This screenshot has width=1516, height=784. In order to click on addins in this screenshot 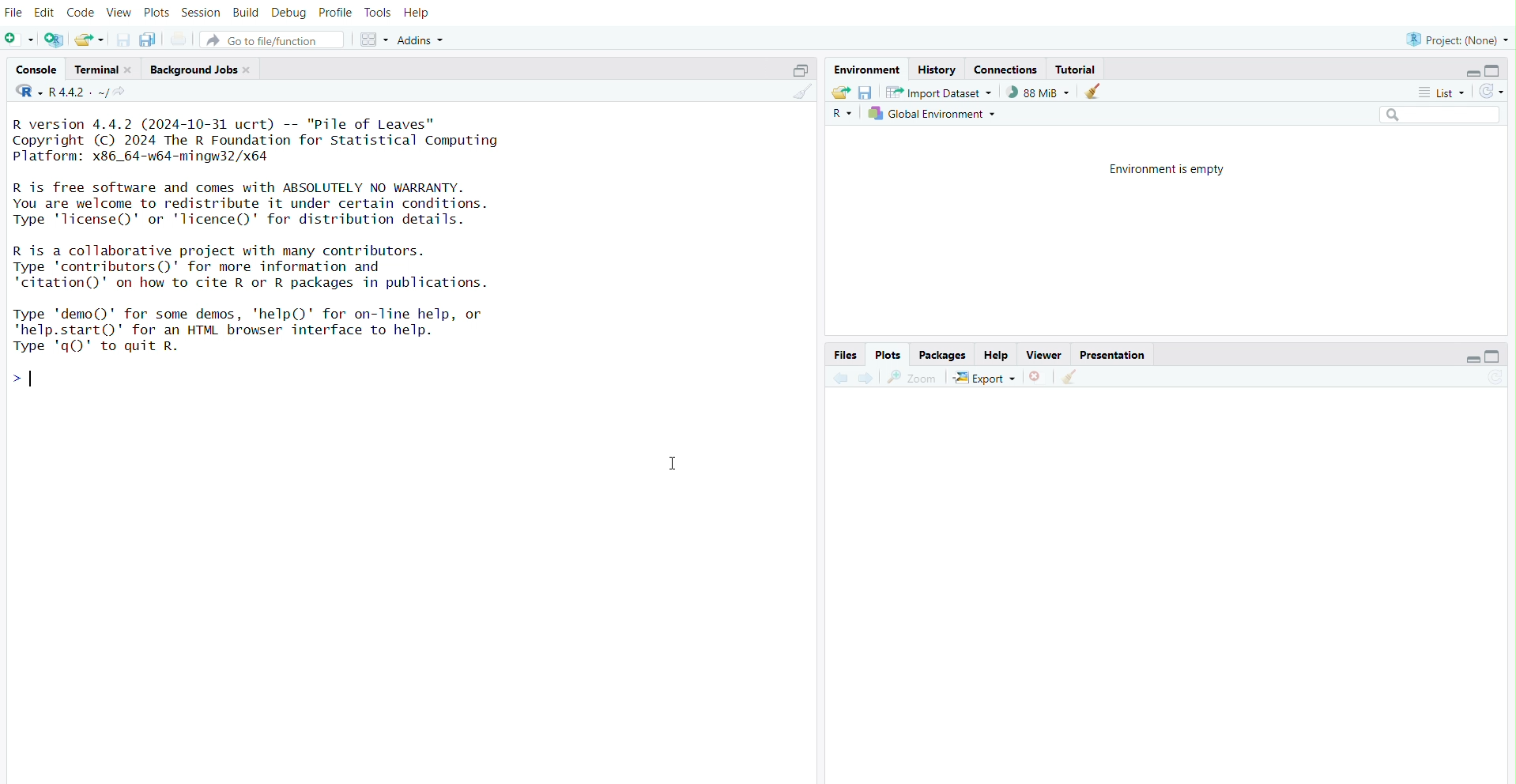, I will do `click(424, 38)`.